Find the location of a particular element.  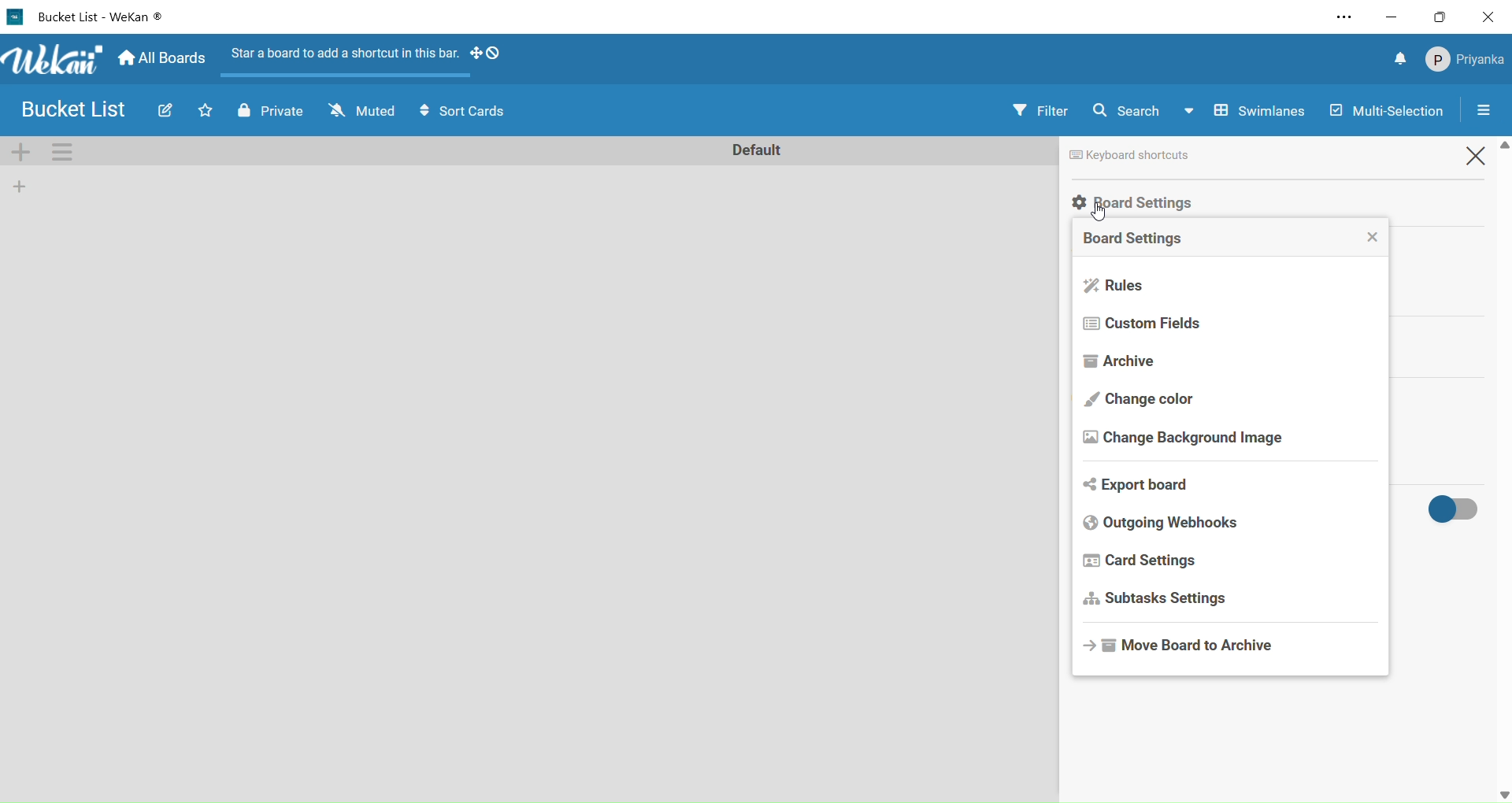

open sidebar or close sidebar is located at coordinates (1483, 110).